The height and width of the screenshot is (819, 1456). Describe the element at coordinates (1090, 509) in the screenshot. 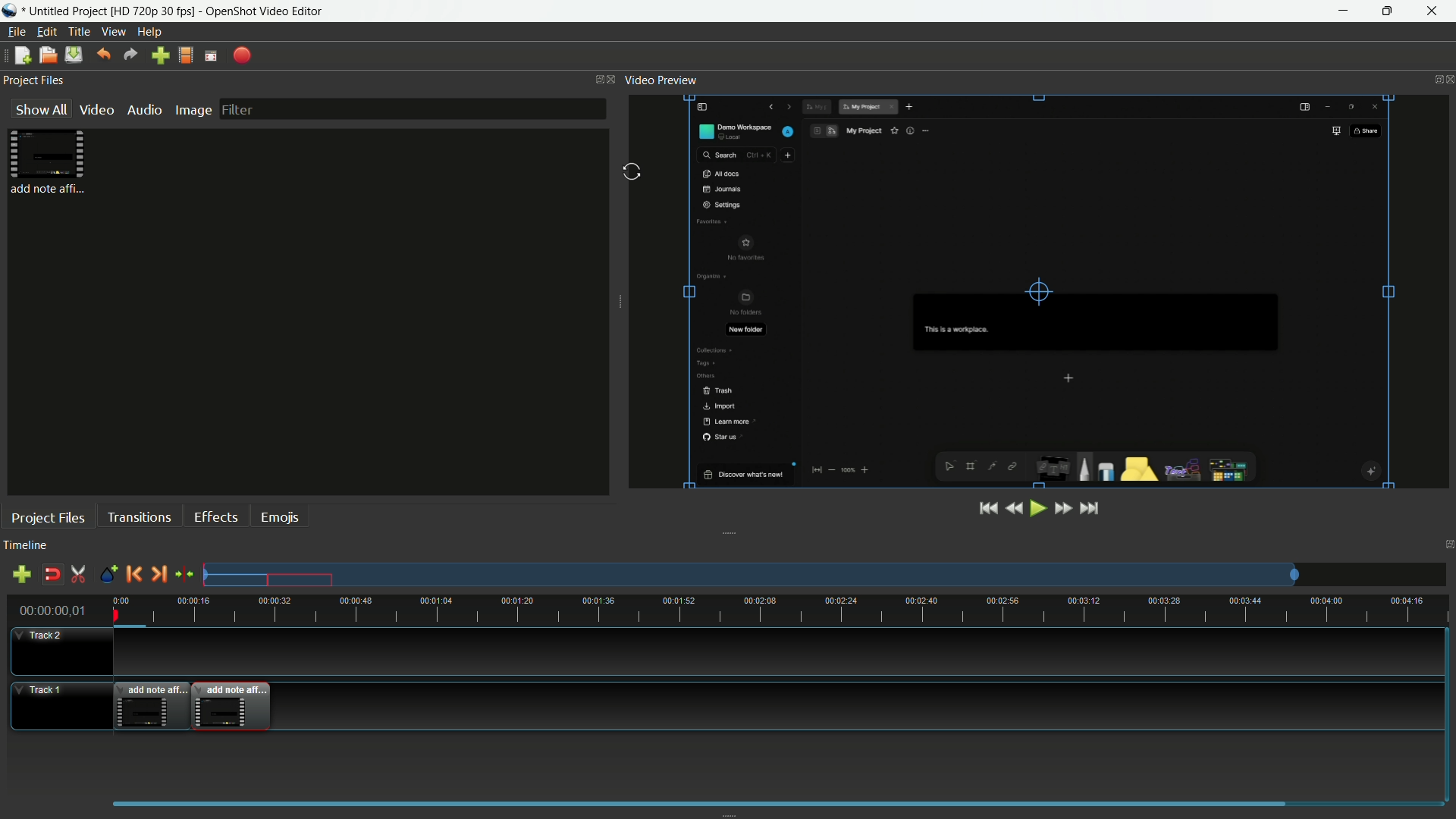

I see `jump to end` at that location.